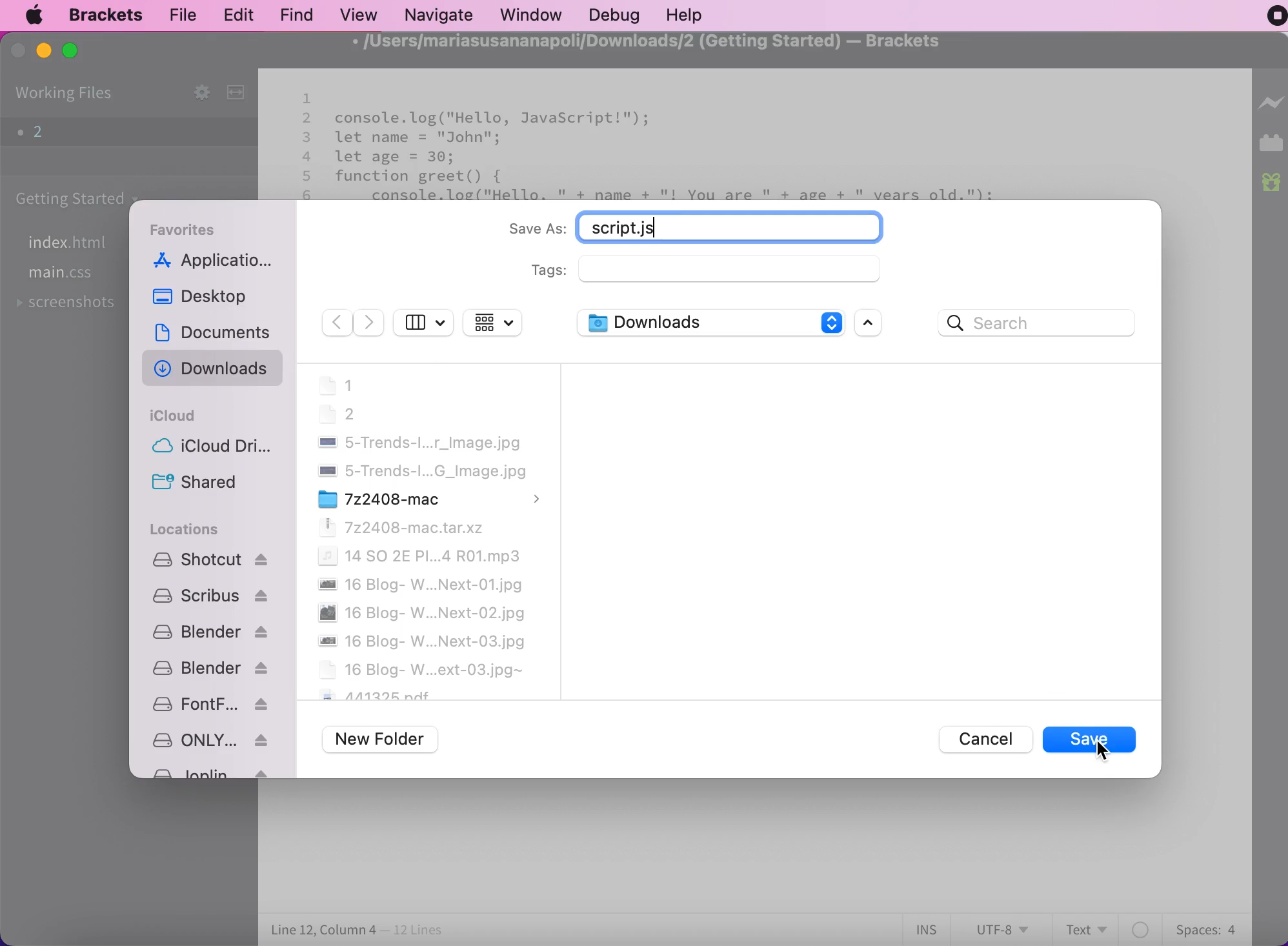  I want to click on fontforge, so click(210, 704).